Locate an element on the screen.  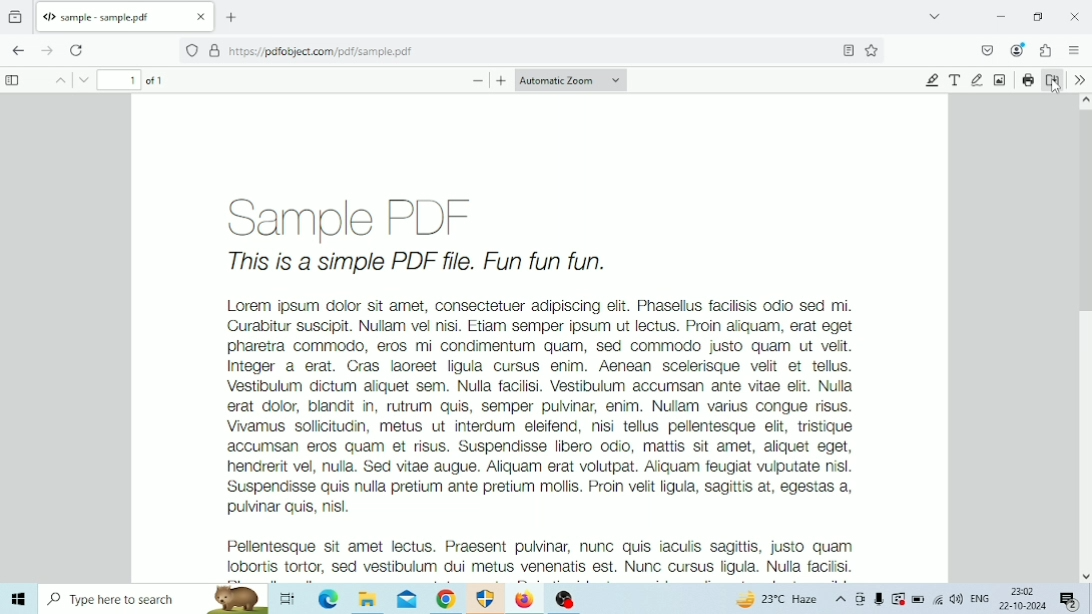
List all tabs is located at coordinates (934, 16).